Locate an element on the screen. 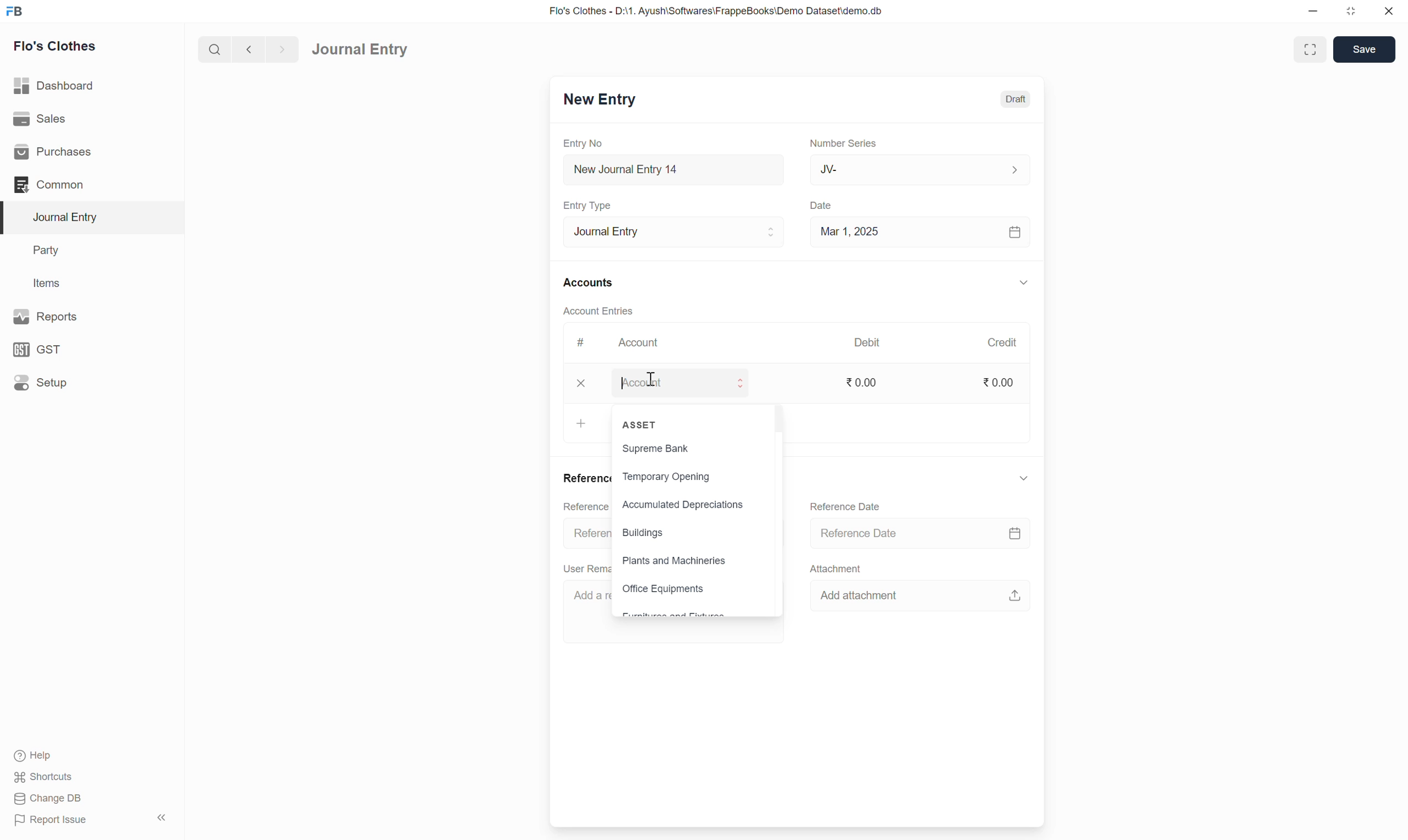 The width and height of the screenshot is (1408, 840). upload is located at coordinates (1016, 596).